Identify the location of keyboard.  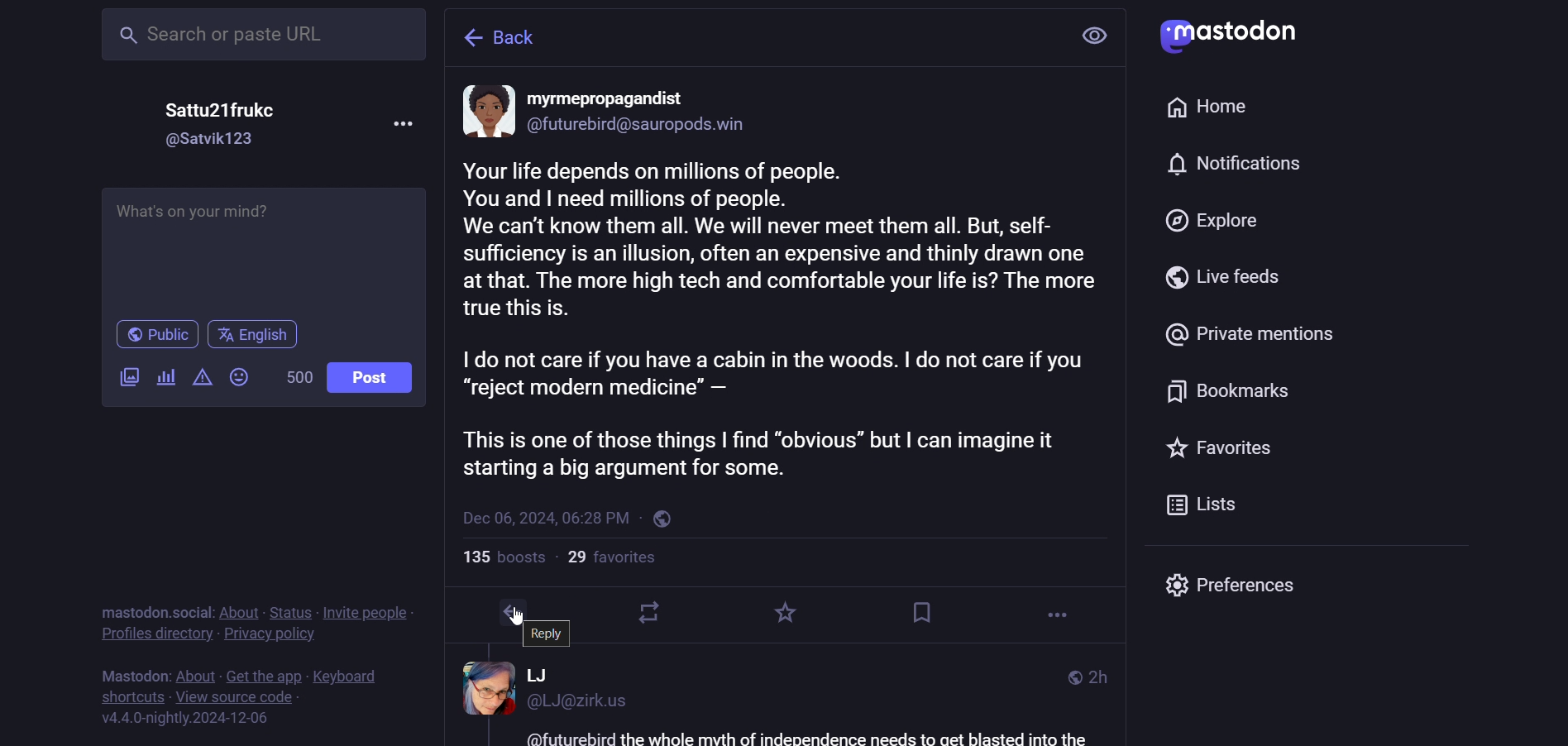
(349, 676).